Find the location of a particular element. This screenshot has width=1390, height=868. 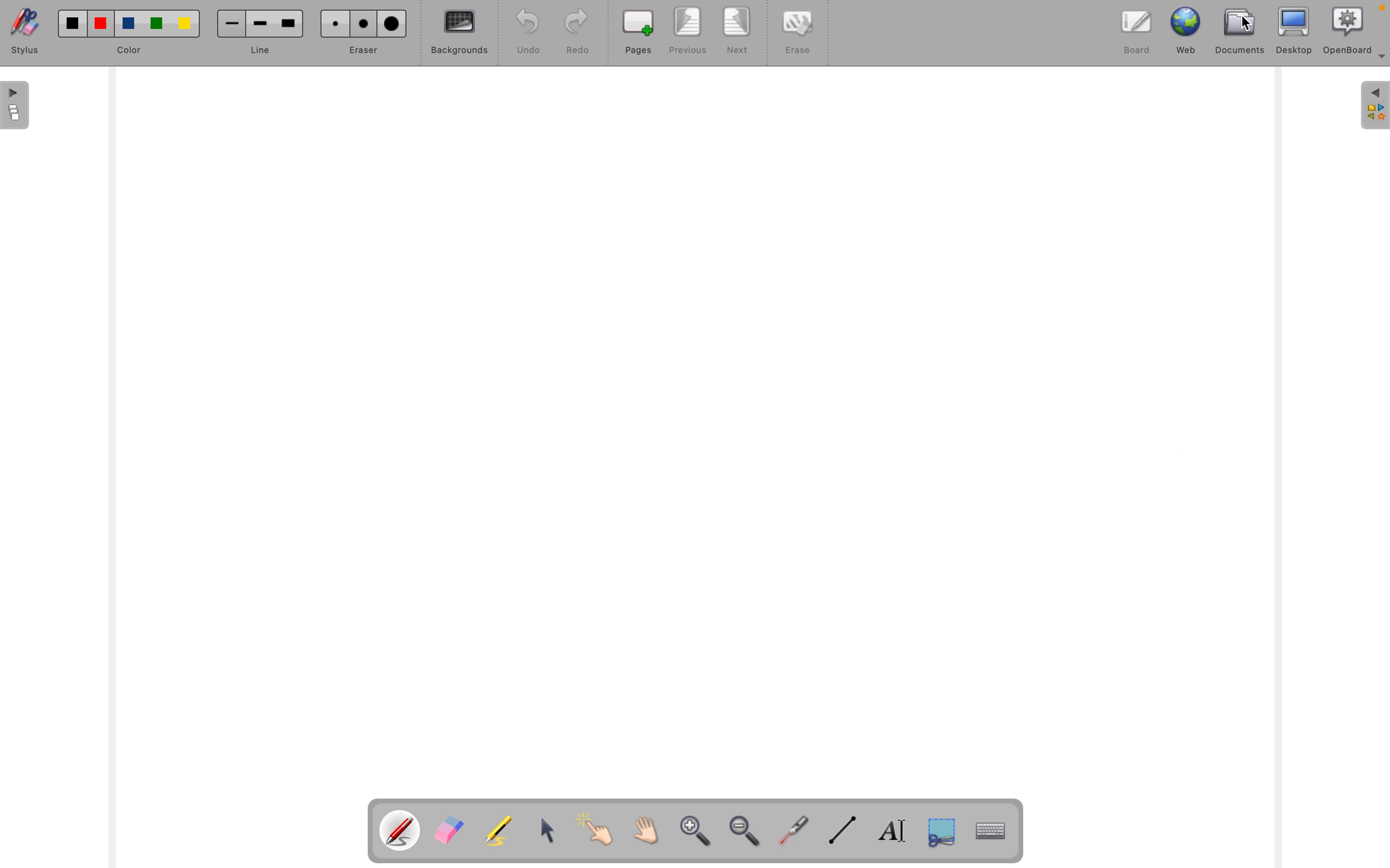

pages is located at coordinates (638, 33).